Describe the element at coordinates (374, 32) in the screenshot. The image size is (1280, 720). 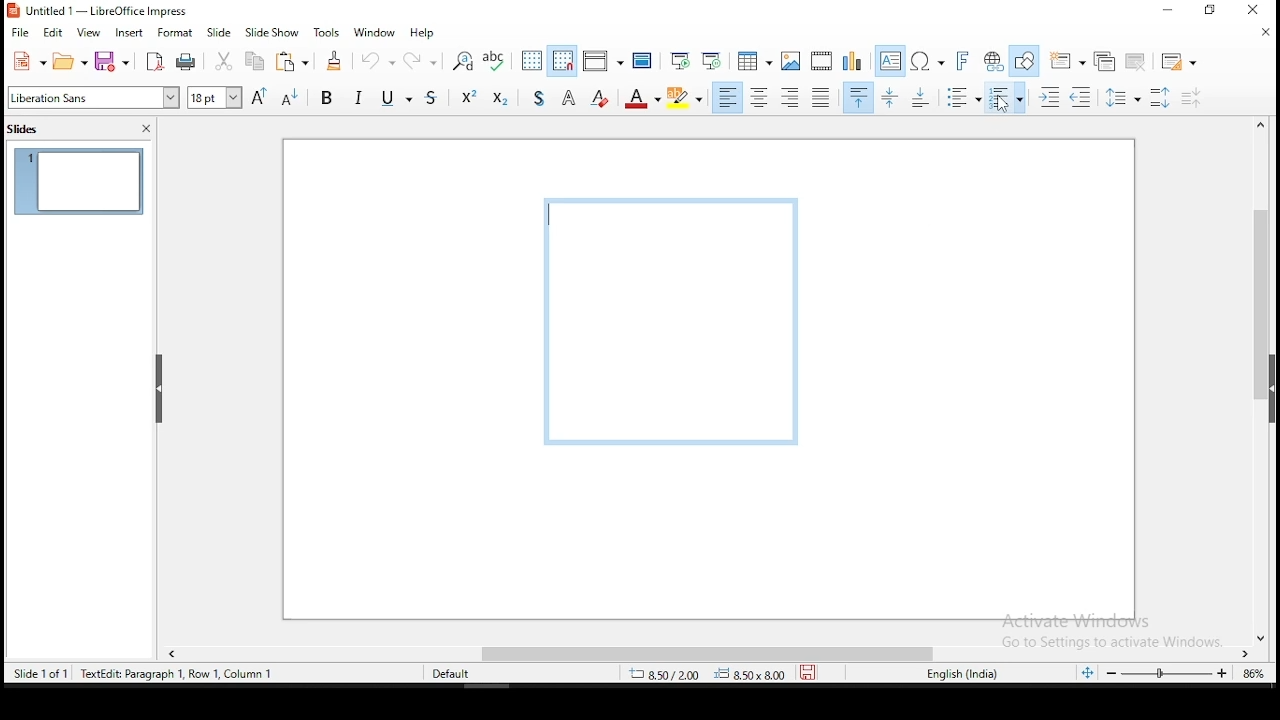
I see `window` at that location.